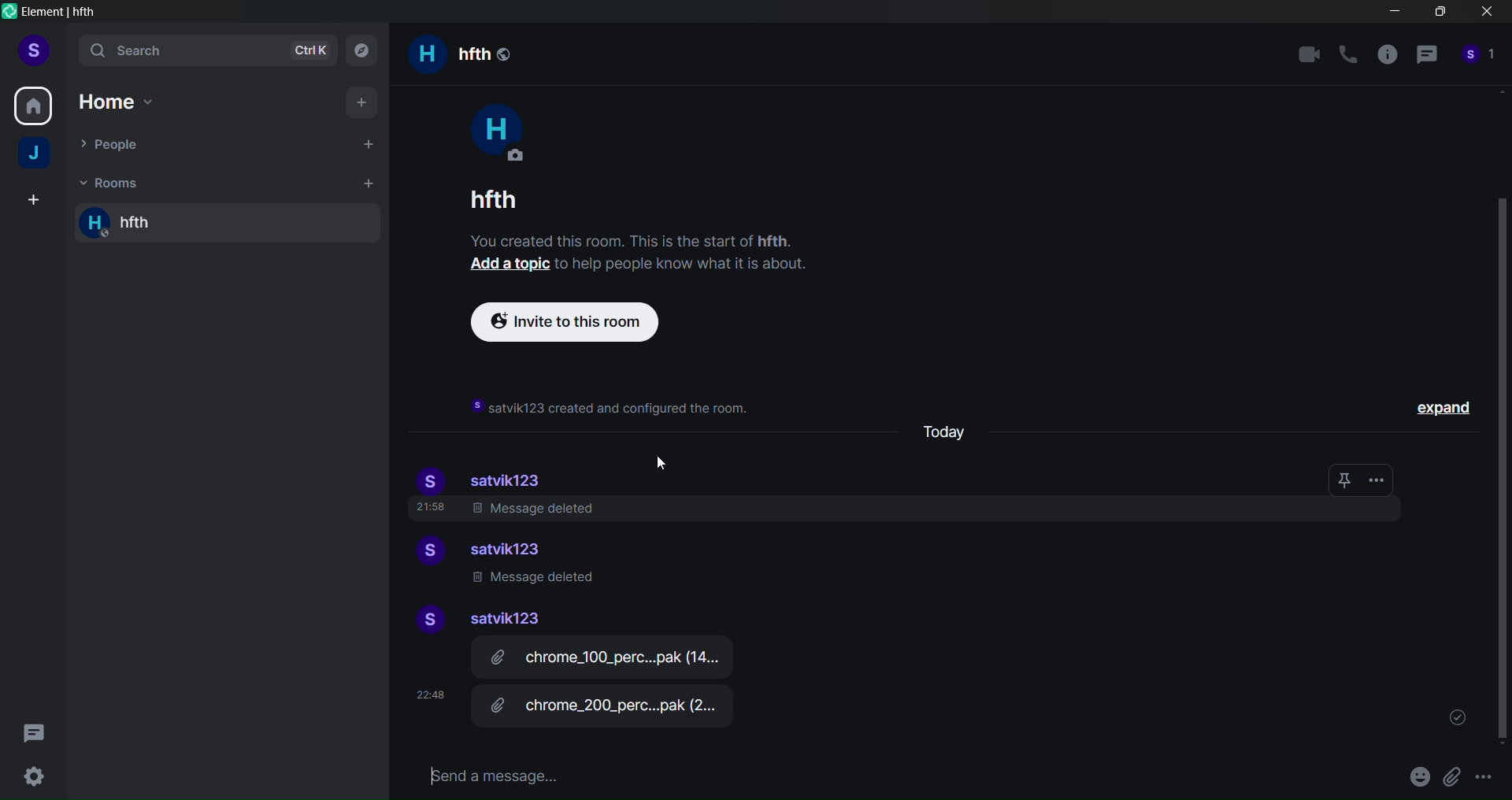  Describe the element at coordinates (39, 776) in the screenshot. I see `Settings` at that location.